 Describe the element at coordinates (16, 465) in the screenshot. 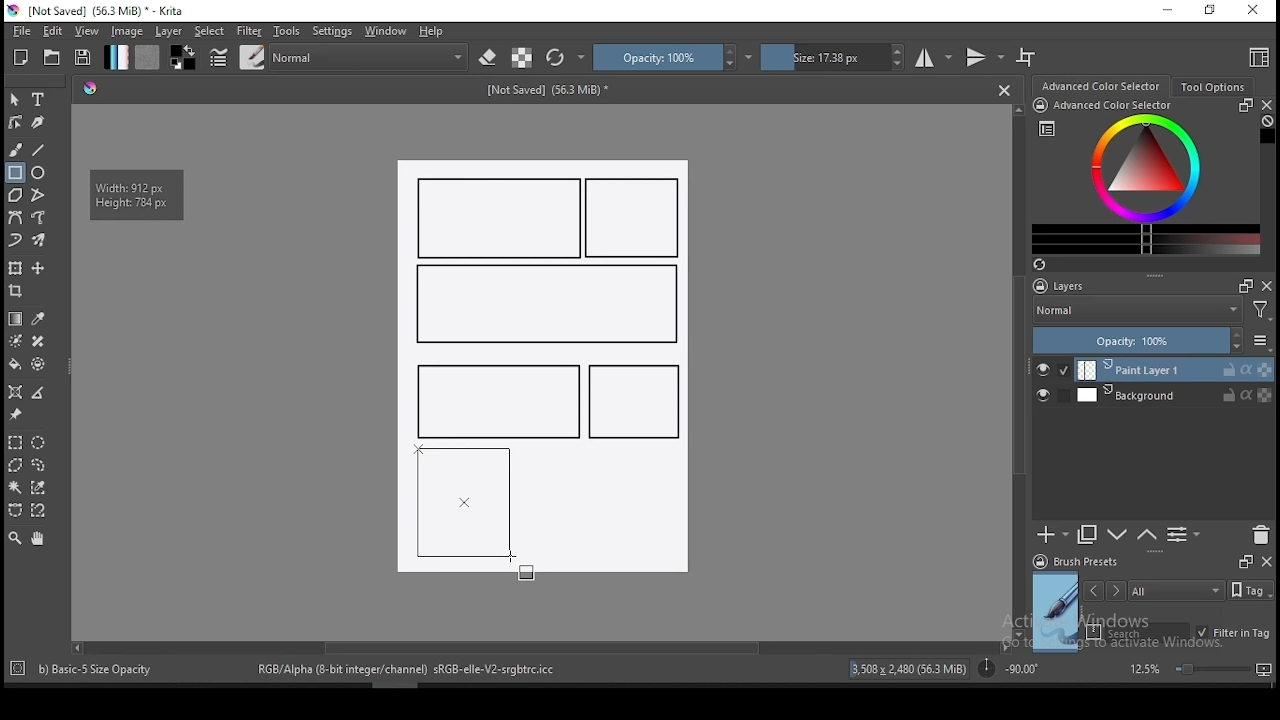

I see `polygon selection tool` at that location.